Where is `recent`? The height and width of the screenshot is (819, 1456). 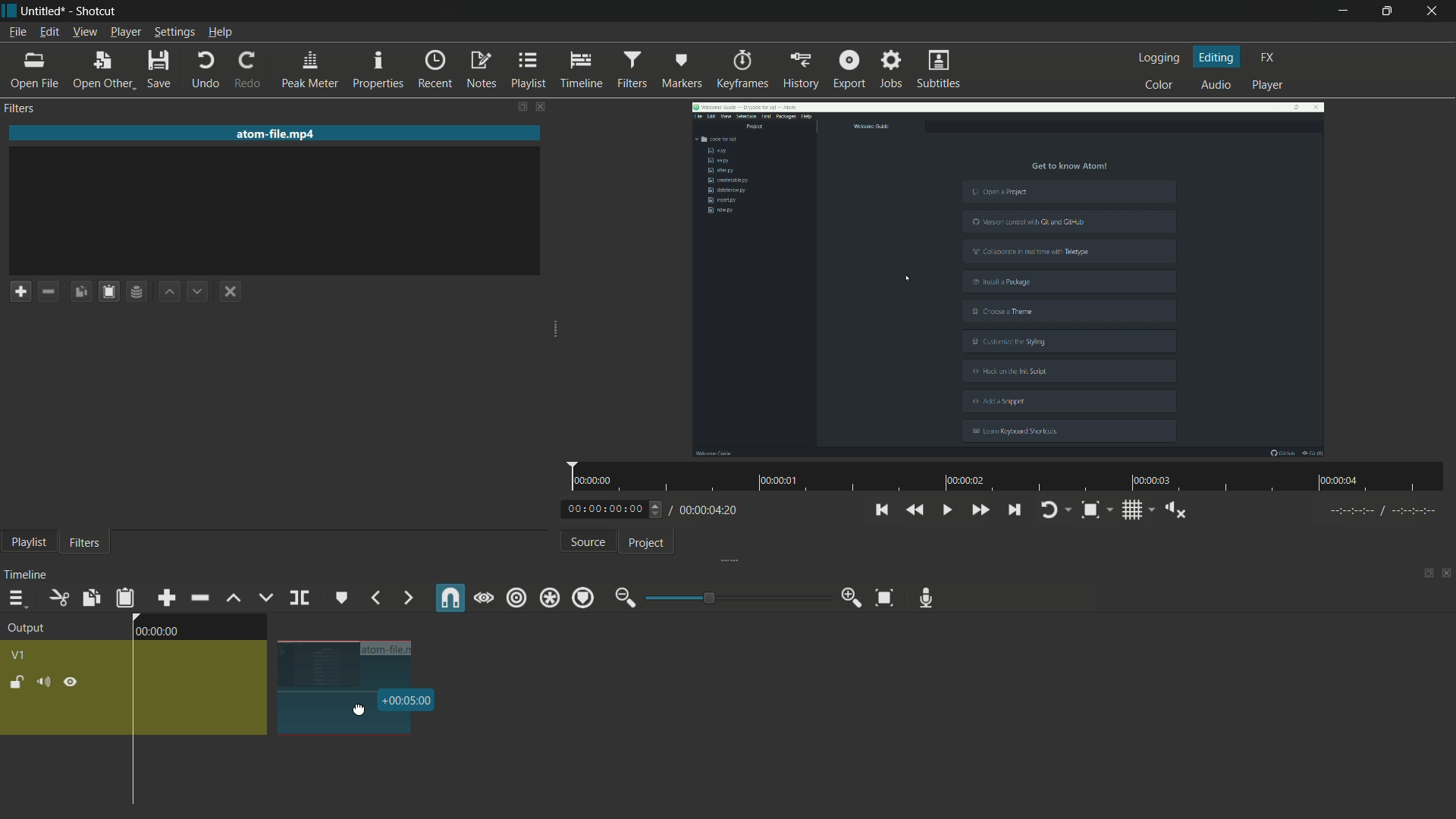
recent is located at coordinates (431, 69).